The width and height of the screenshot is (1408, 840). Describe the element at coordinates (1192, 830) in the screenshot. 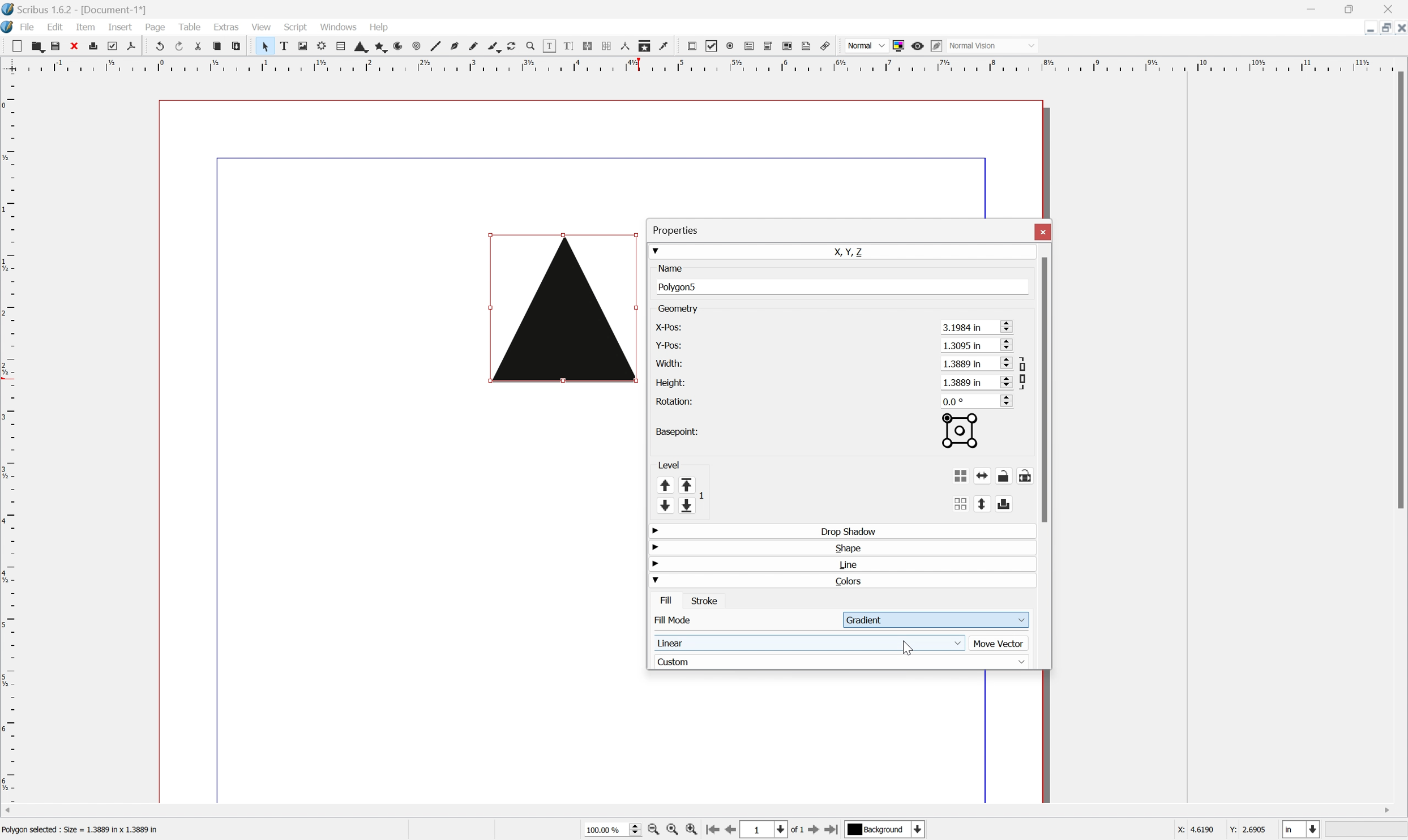

I see `X: 3.2063` at that location.